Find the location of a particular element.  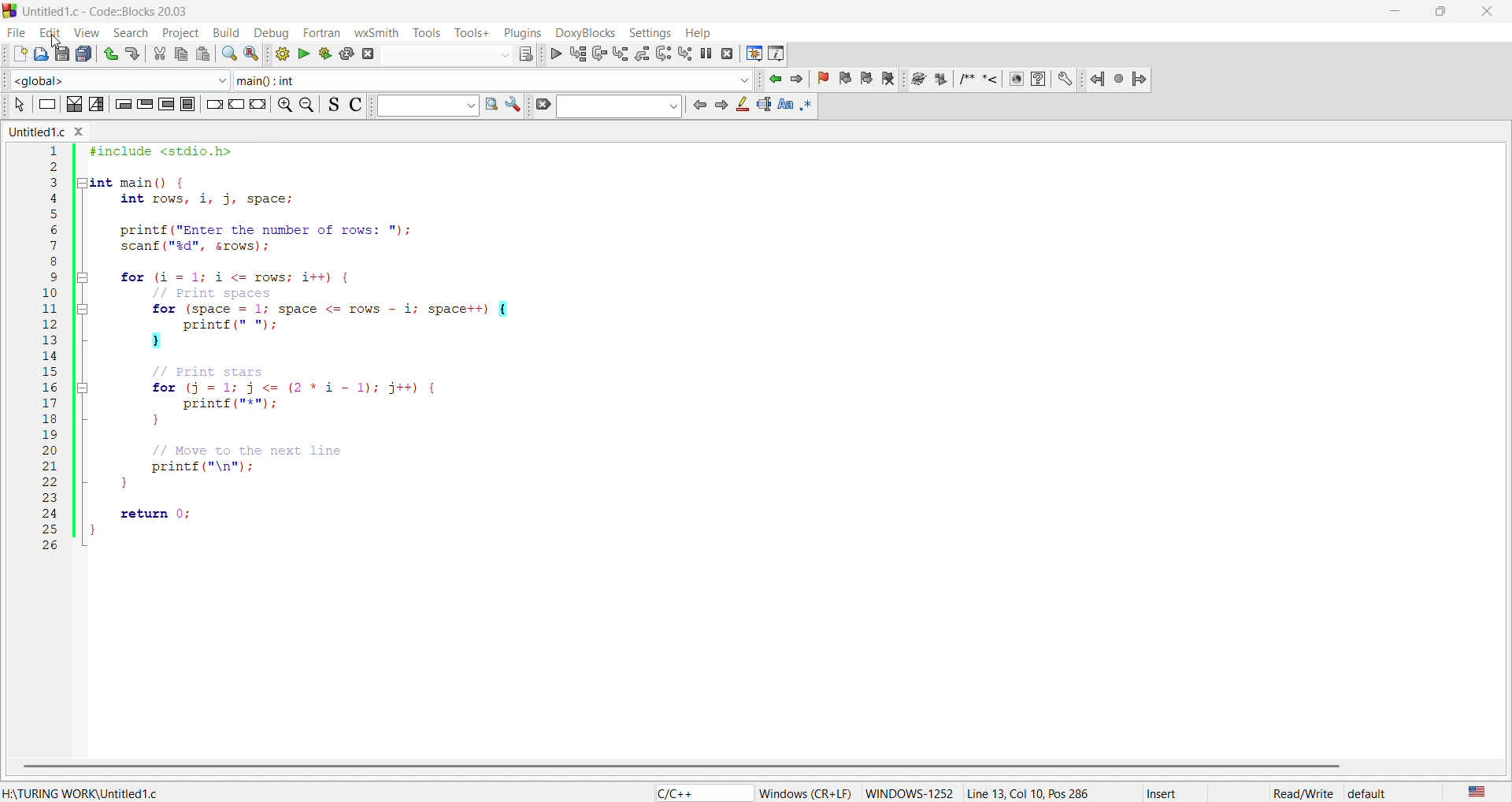

input is located at coordinates (619, 106).